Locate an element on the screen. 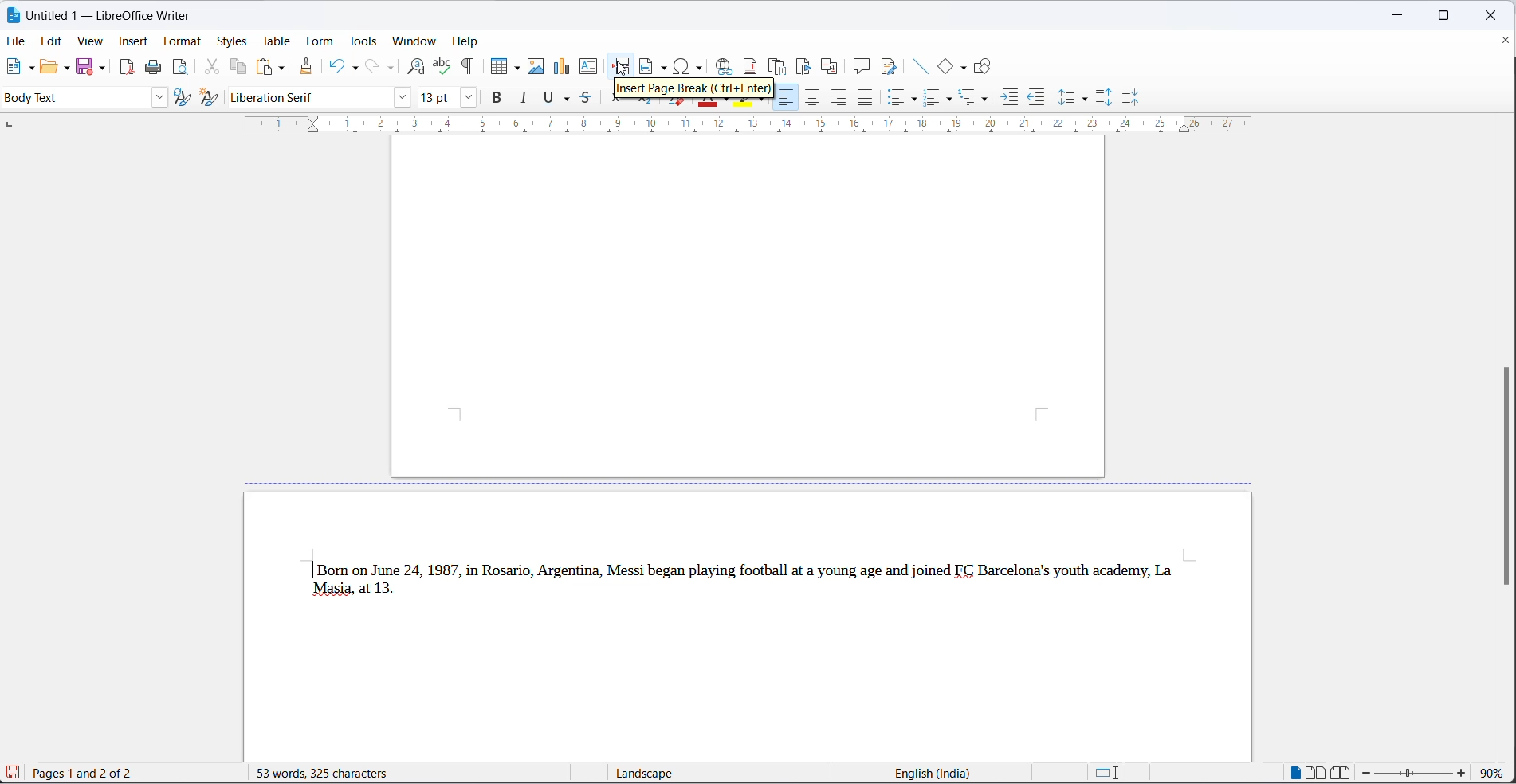 The height and width of the screenshot is (784, 1516). insert comments is located at coordinates (860, 68).